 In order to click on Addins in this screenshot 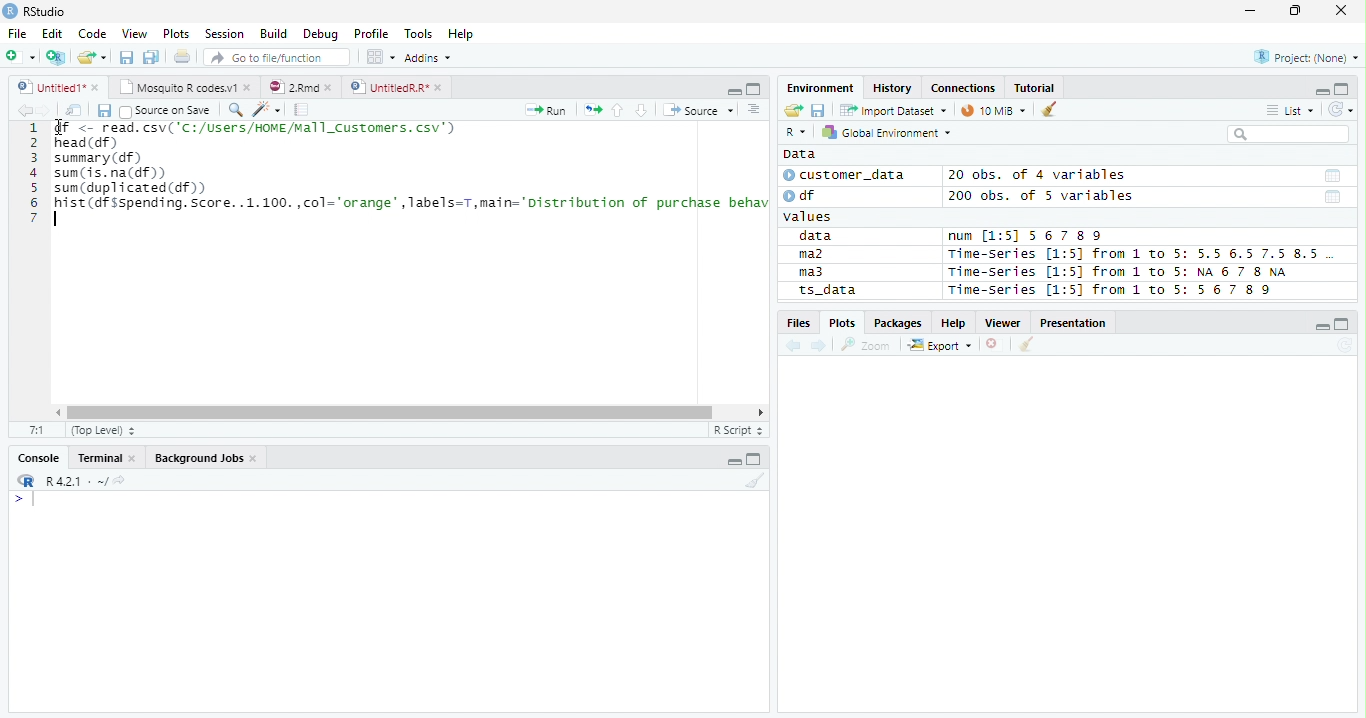, I will do `click(430, 57)`.